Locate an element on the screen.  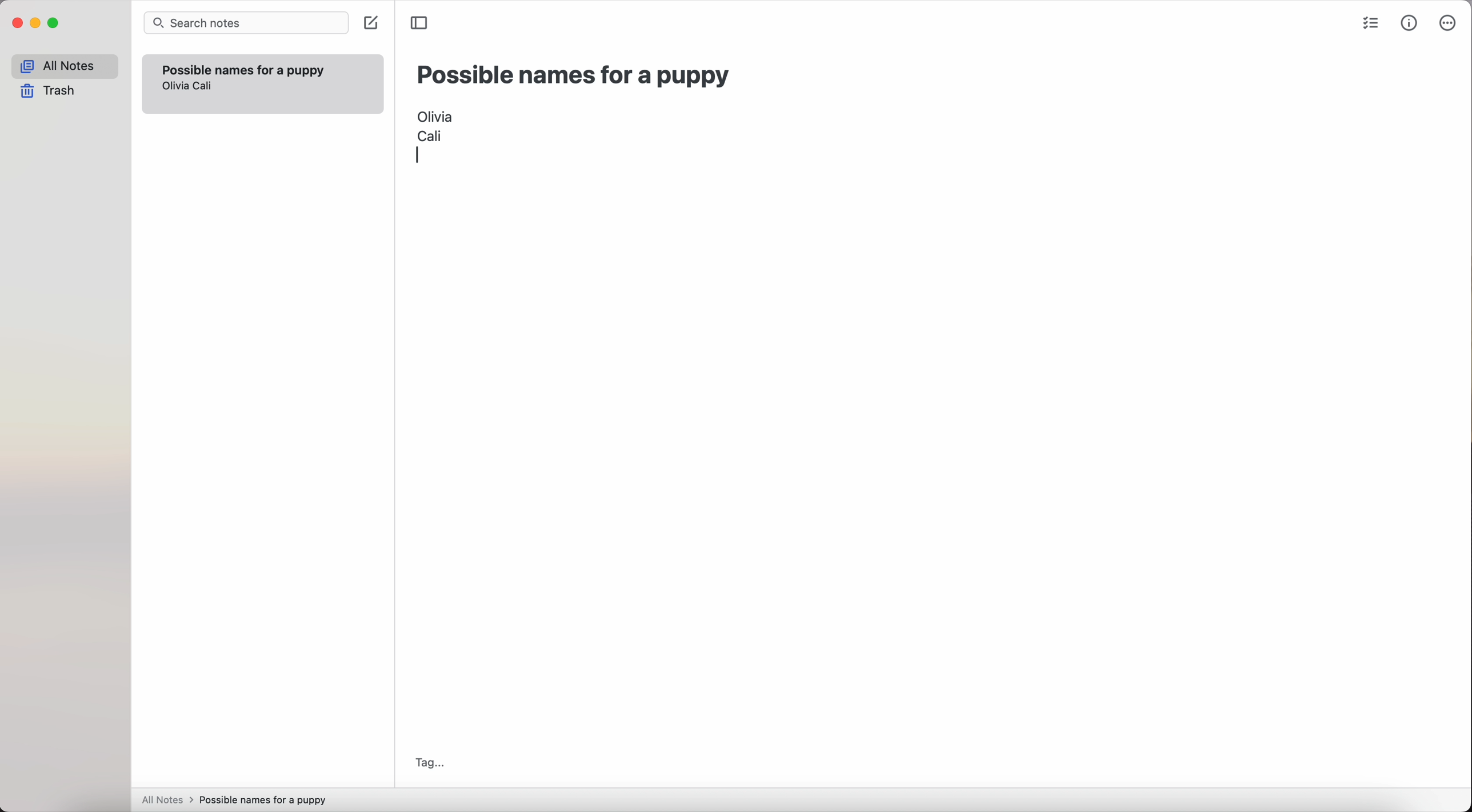
more options is located at coordinates (1449, 24).